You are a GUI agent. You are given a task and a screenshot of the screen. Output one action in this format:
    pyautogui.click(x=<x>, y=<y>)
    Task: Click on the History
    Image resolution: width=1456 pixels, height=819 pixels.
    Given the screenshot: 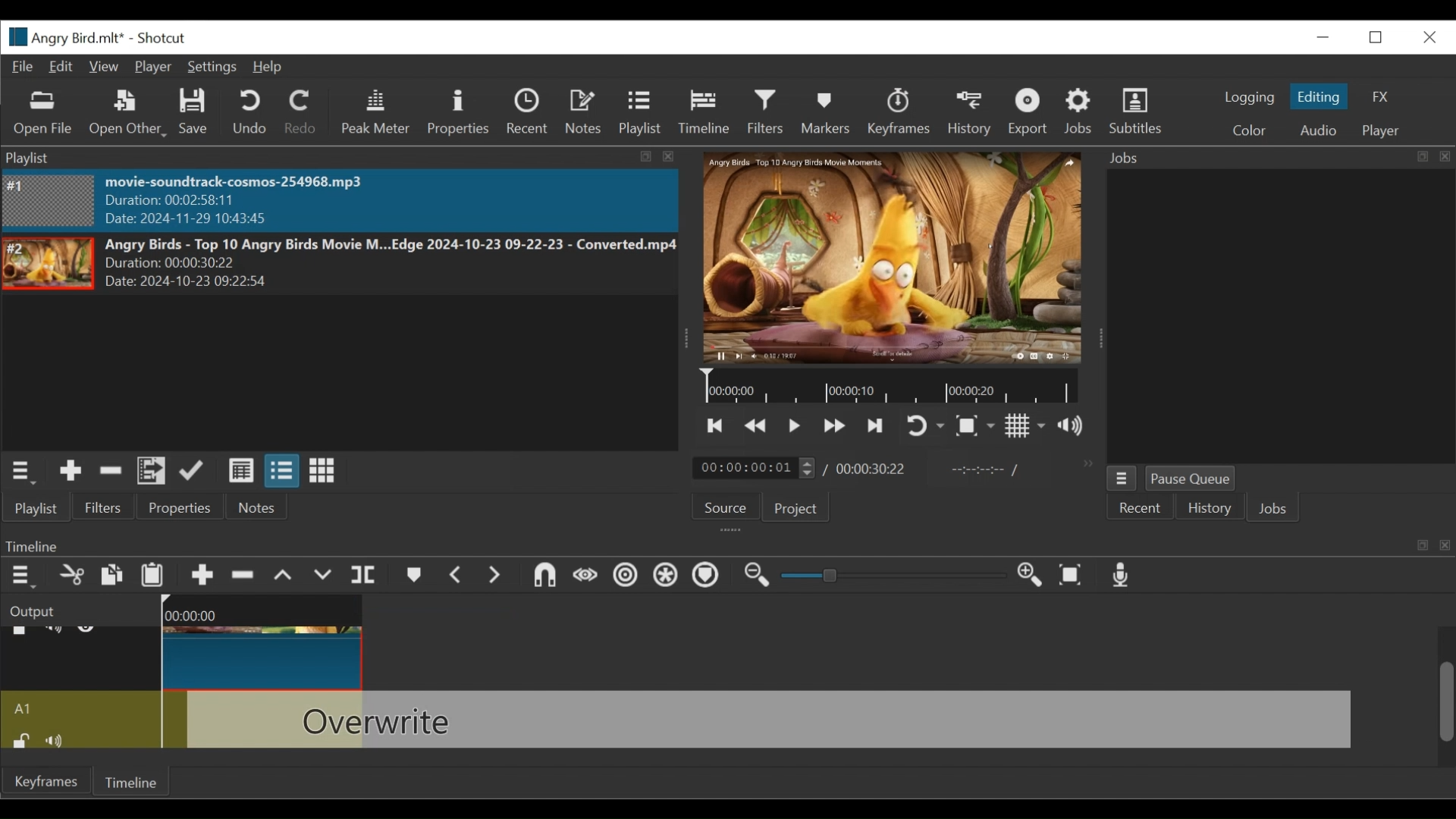 What is the action you would take?
    pyautogui.click(x=968, y=113)
    